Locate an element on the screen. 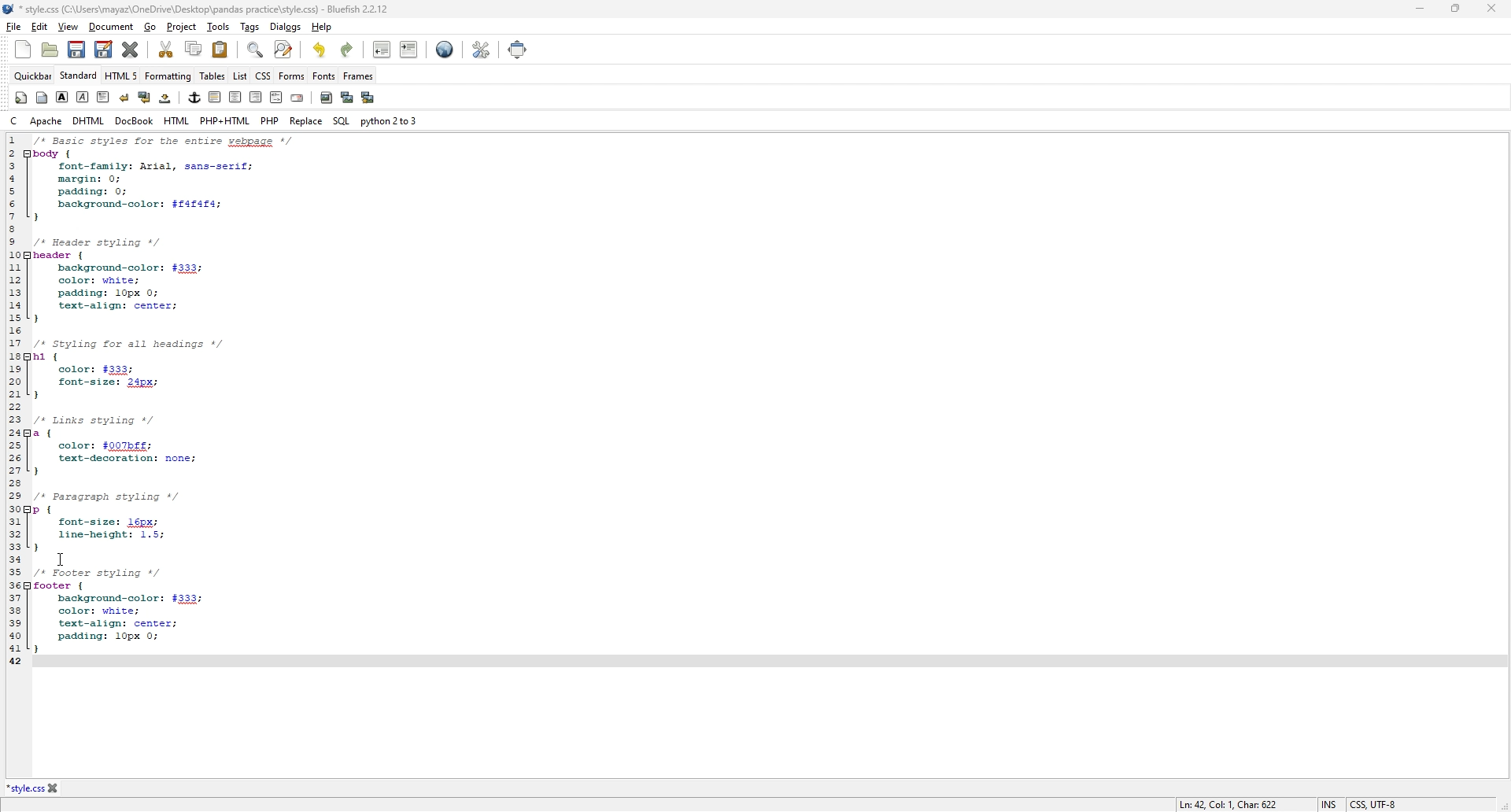 This screenshot has height=812, width=1511. python 2 to 3 is located at coordinates (390, 120).